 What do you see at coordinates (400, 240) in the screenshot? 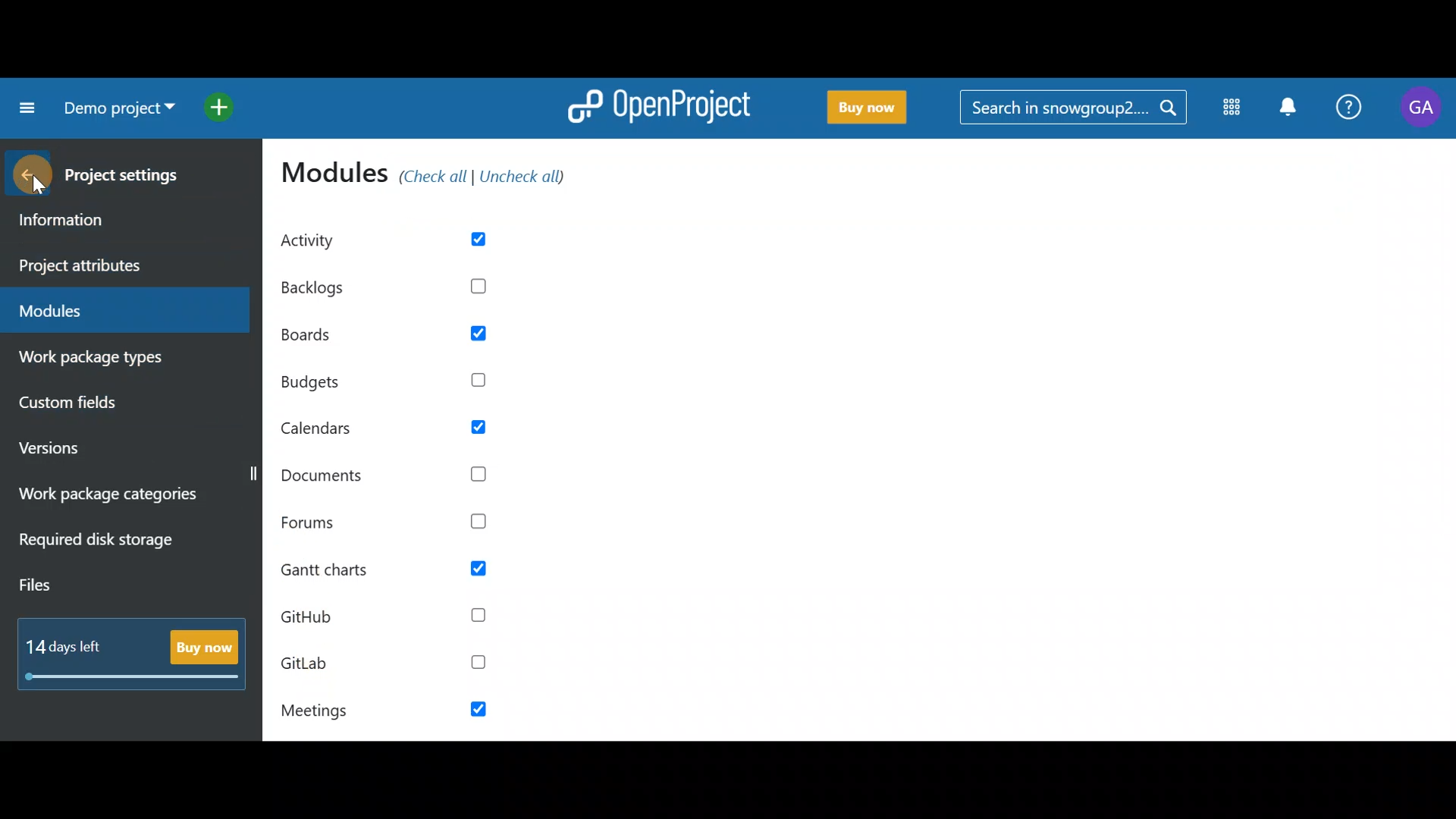
I see `Activity` at bounding box center [400, 240].